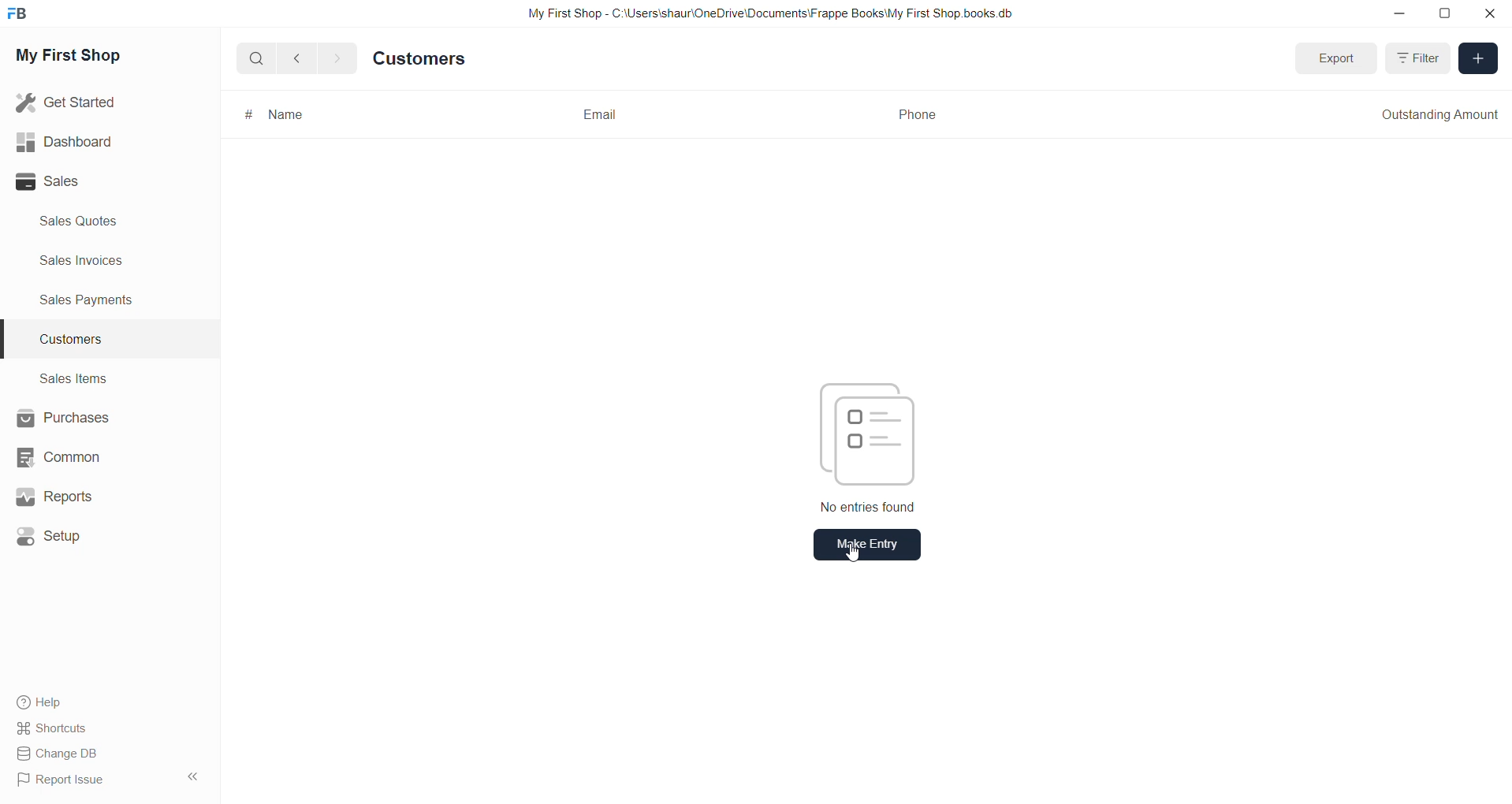 The height and width of the screenshot is (804, 1512). Describe the element at coordinates (73, 378) in the screenshot. I see `sales items` at that location.